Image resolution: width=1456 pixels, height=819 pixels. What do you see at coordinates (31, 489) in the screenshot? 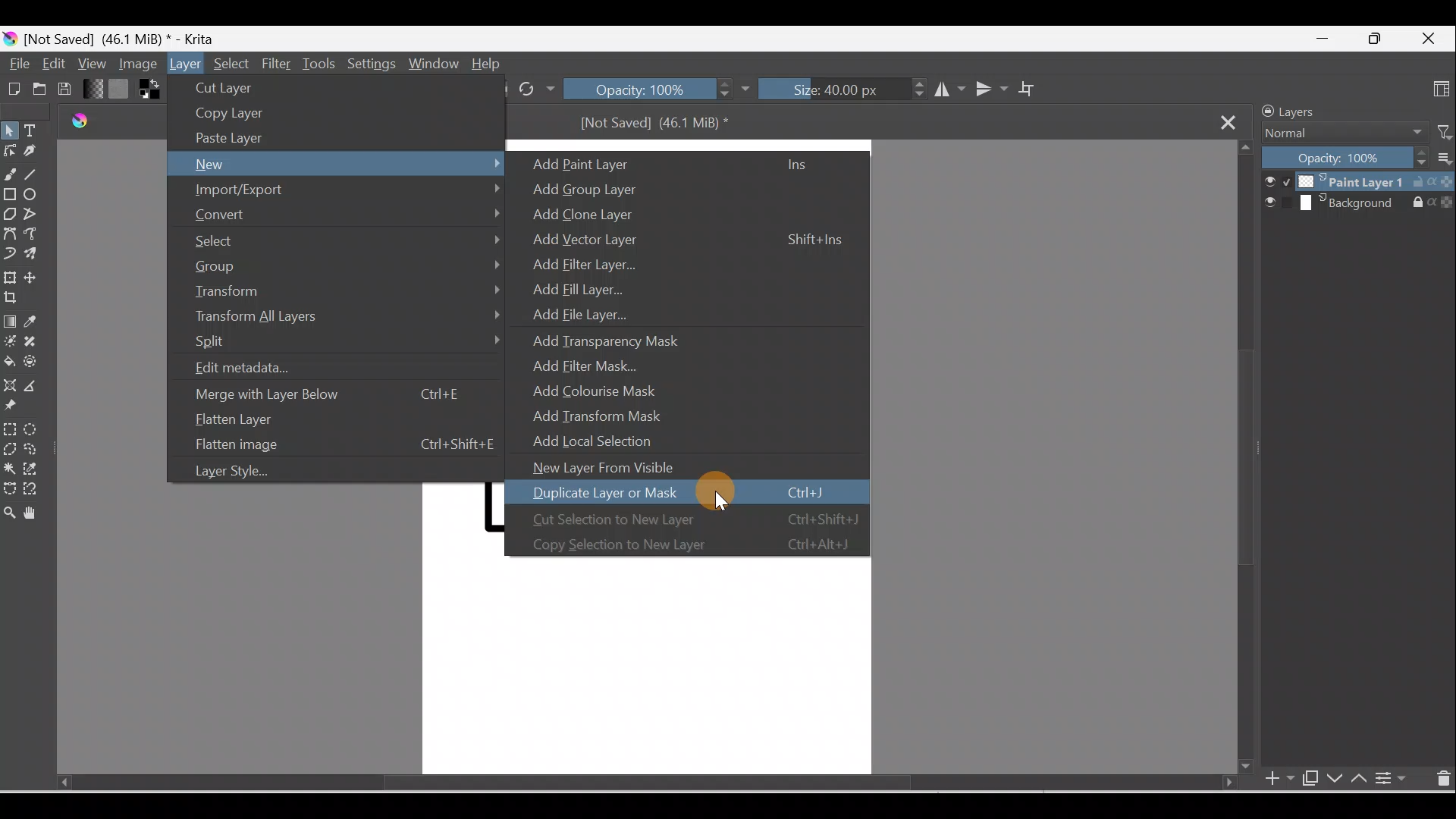
I see `Magnetic curve selection tool` at bounding box center [31, 489].